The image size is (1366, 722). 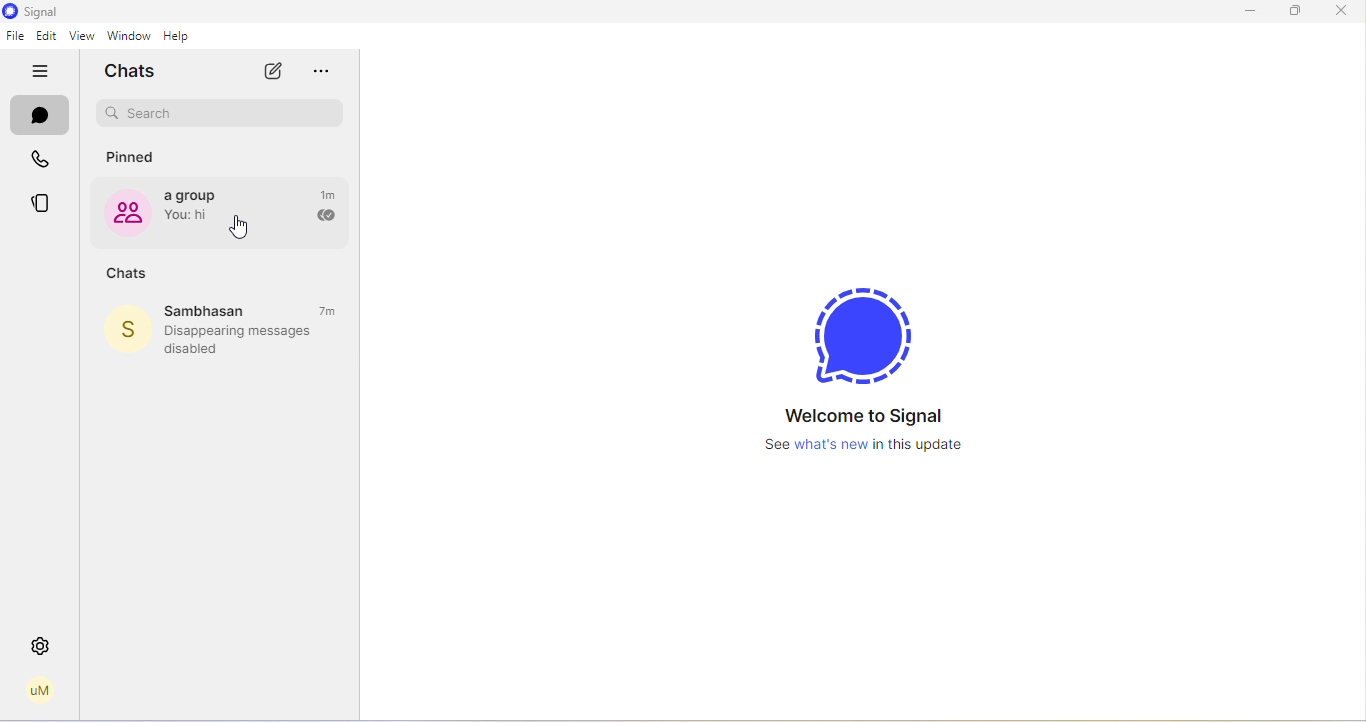 What do you see at coordinates (329, 73) in the screenshot?
I see `view archive` at bounding box center [329, 73].